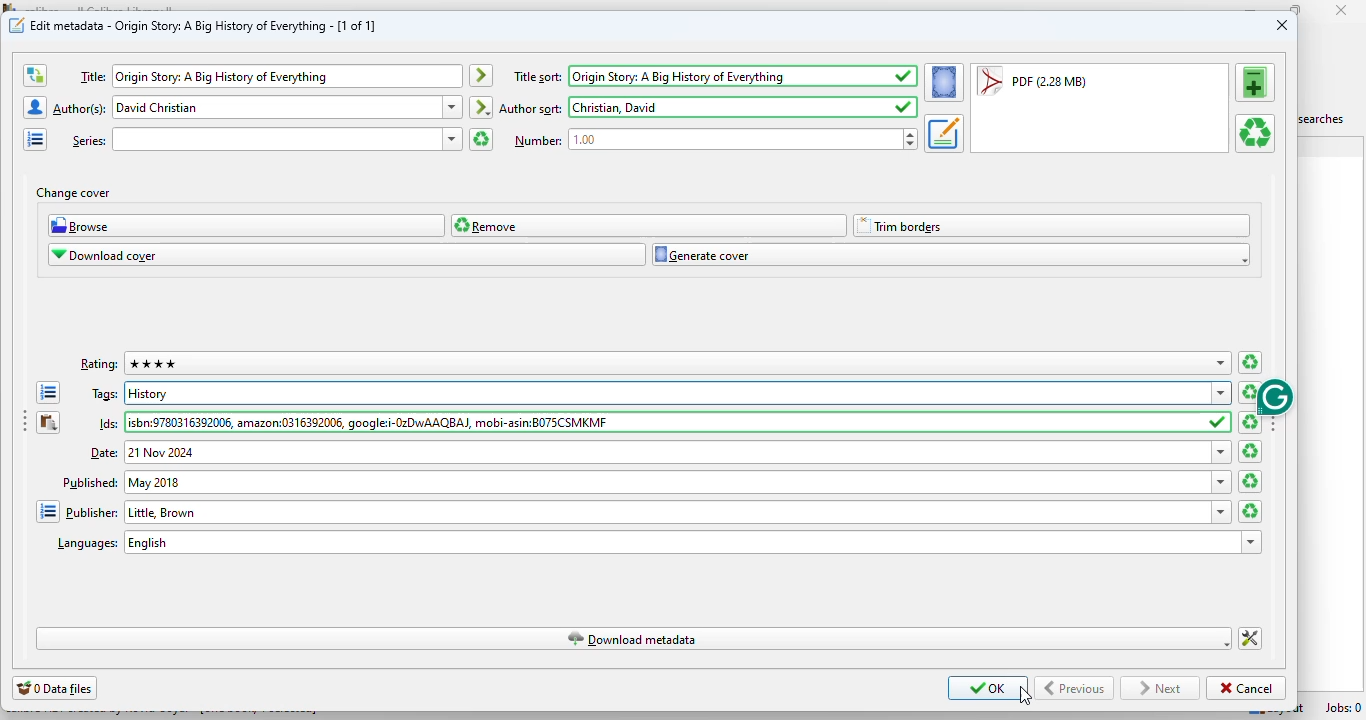  I want to click on languages: english, so click(678, 542).